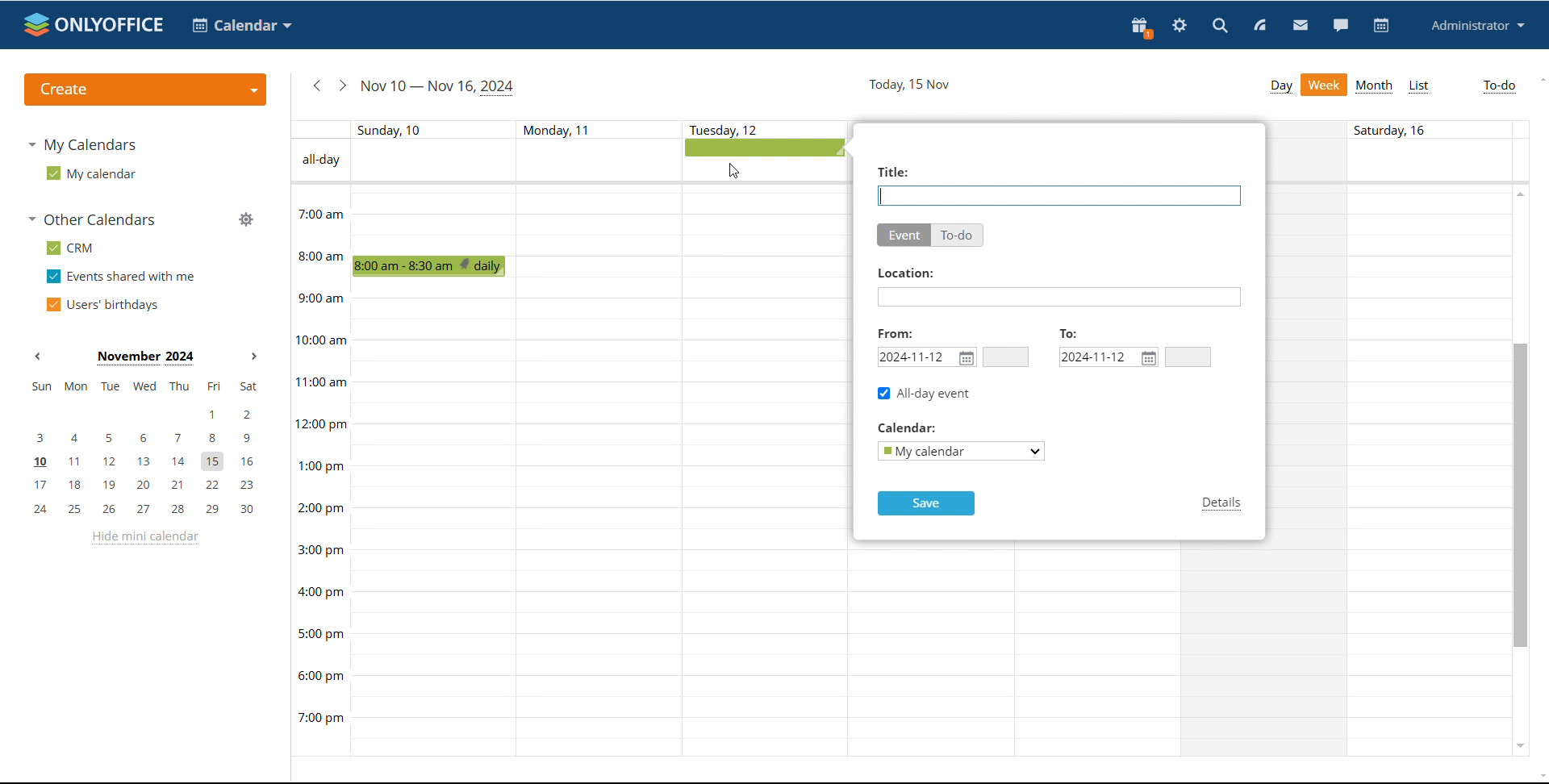 The width and height of the screenshot is (1549, 784). I want to click on text, so click(1399, 132).